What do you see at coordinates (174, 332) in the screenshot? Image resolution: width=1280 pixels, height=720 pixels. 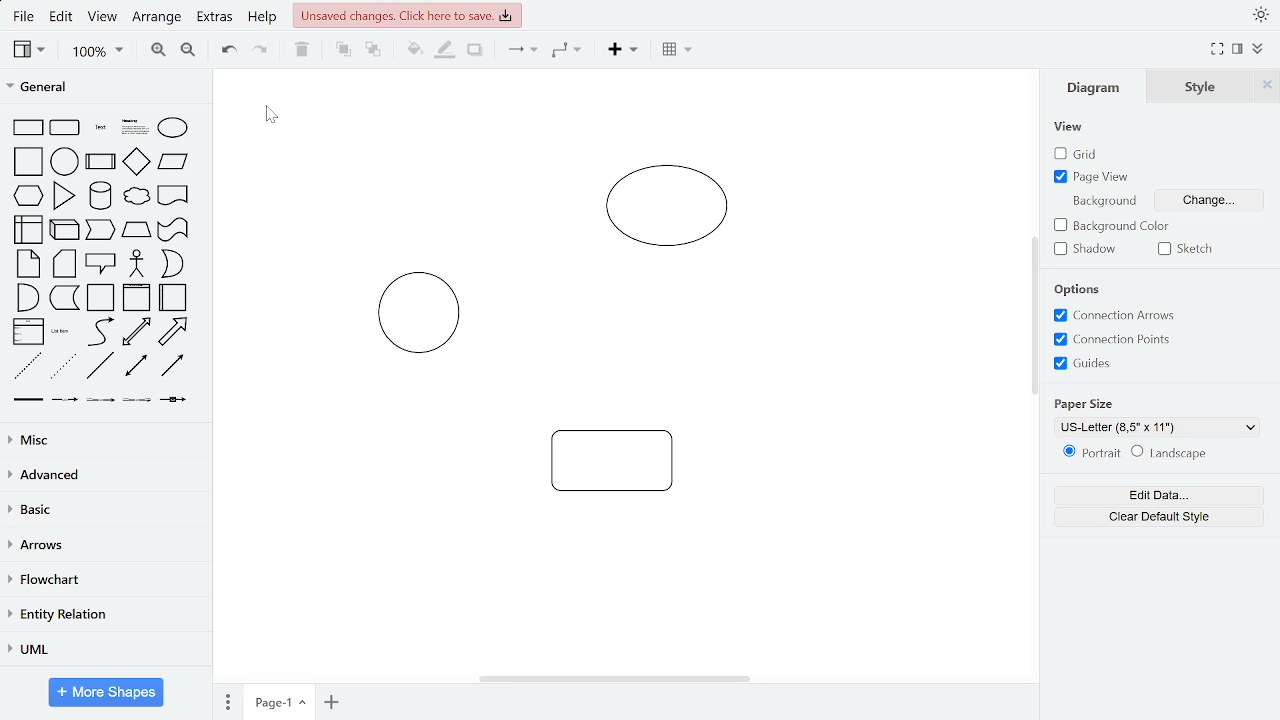 I see `arrow` at bounding box center [174, 332].